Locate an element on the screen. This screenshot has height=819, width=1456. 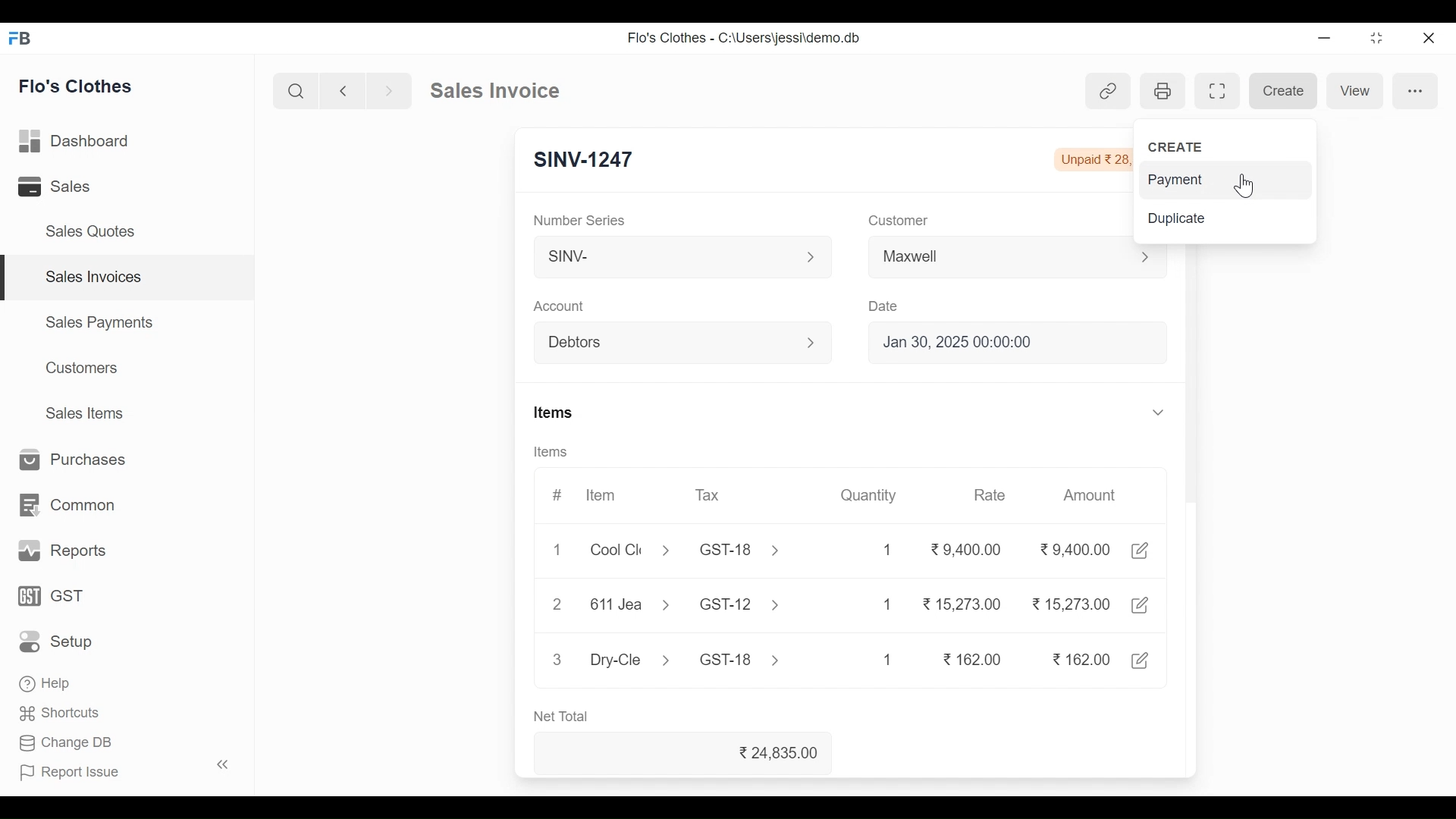
Edit is located at coordinates (1143, 660).